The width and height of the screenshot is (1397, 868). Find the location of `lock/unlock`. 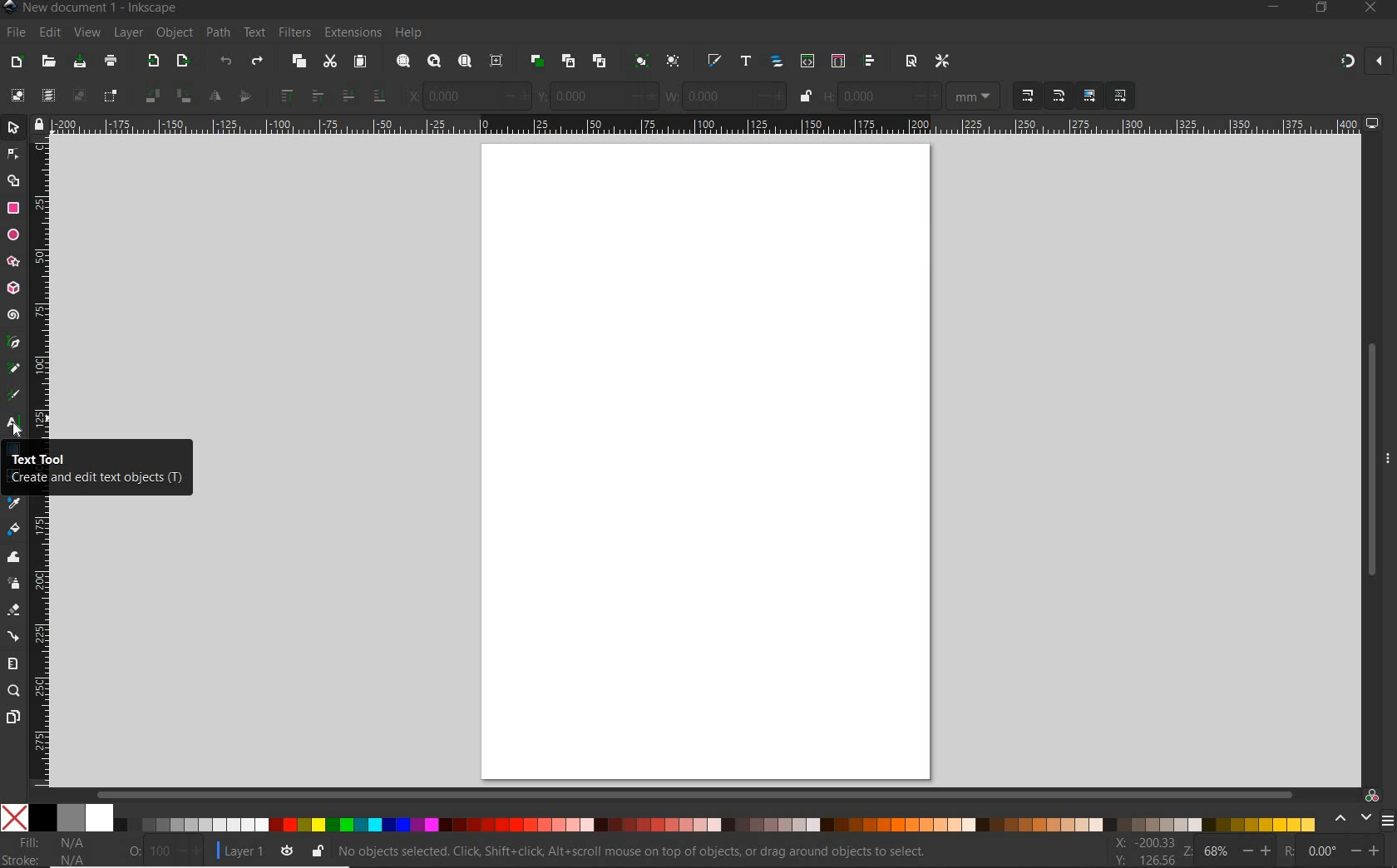

lock/unlock is located at coordinates (807, 97).